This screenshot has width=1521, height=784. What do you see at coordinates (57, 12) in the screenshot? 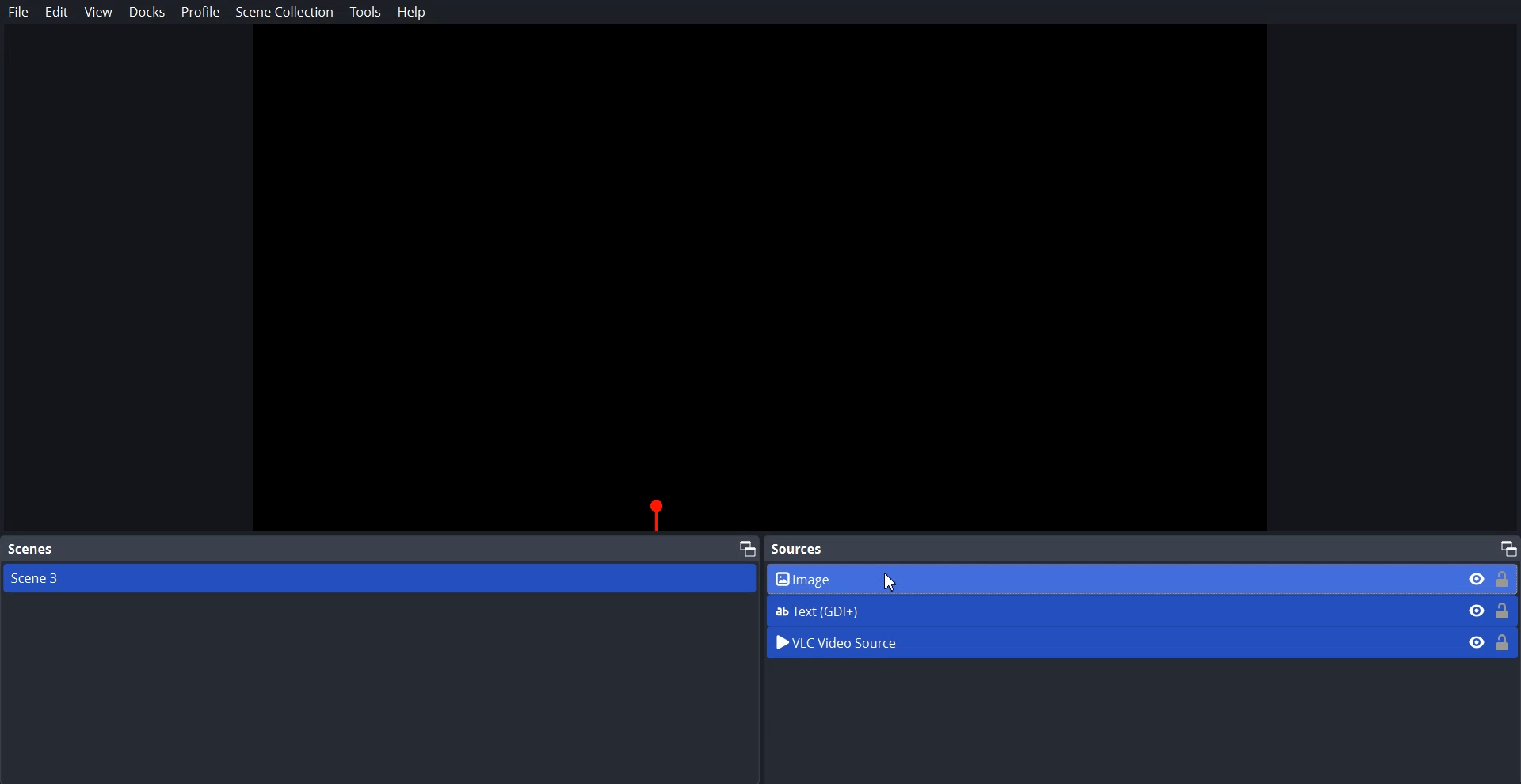
I see `Edit` at bounding box center [57, 12].